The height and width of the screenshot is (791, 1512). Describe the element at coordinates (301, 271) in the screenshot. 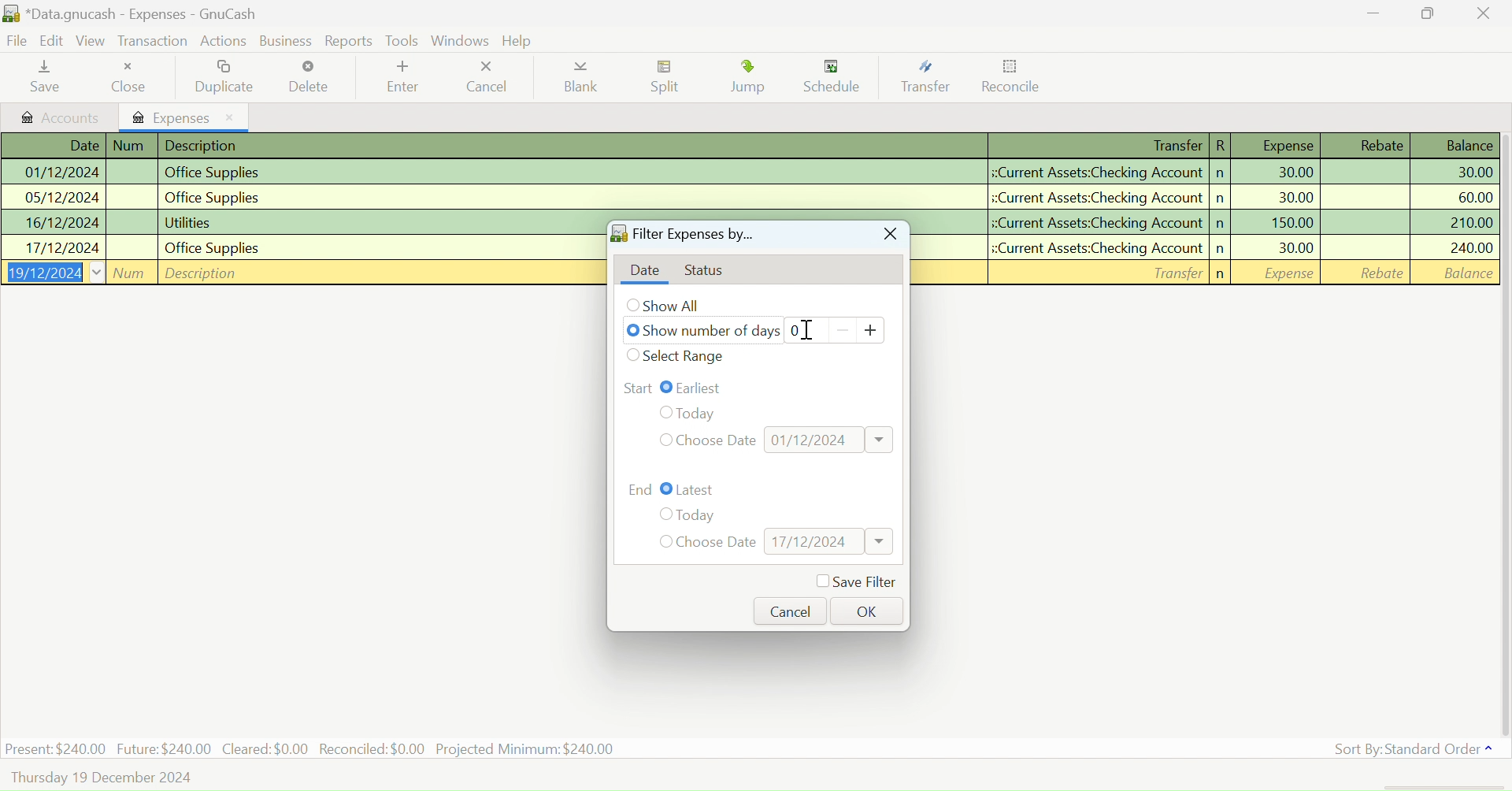

I see `New Entry Field` at that location.